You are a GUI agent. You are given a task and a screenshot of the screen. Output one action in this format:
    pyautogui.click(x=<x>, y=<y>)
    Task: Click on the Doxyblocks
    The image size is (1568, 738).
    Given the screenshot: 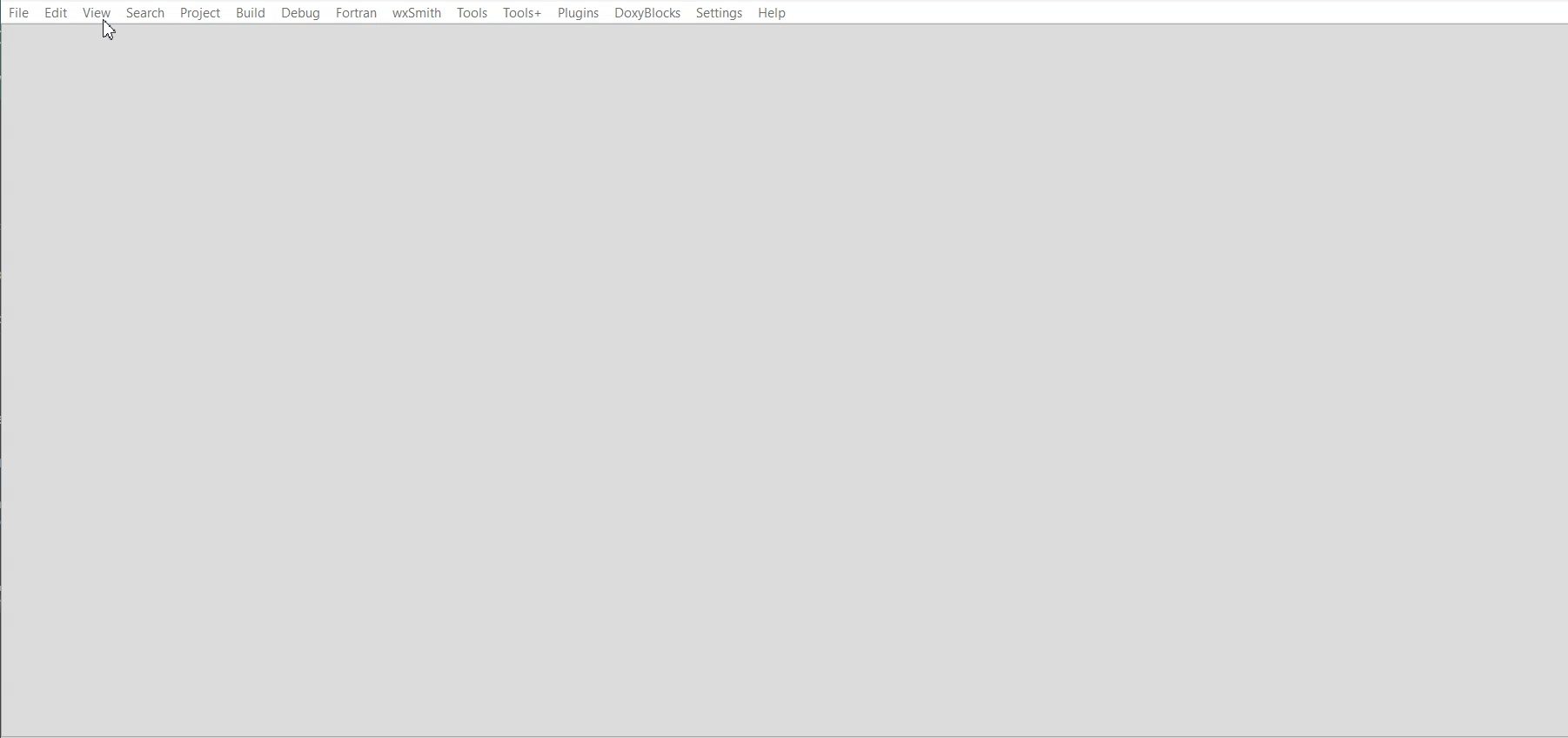 What is the action you would take?
    pyautogui.click(x=647, y=13)
    